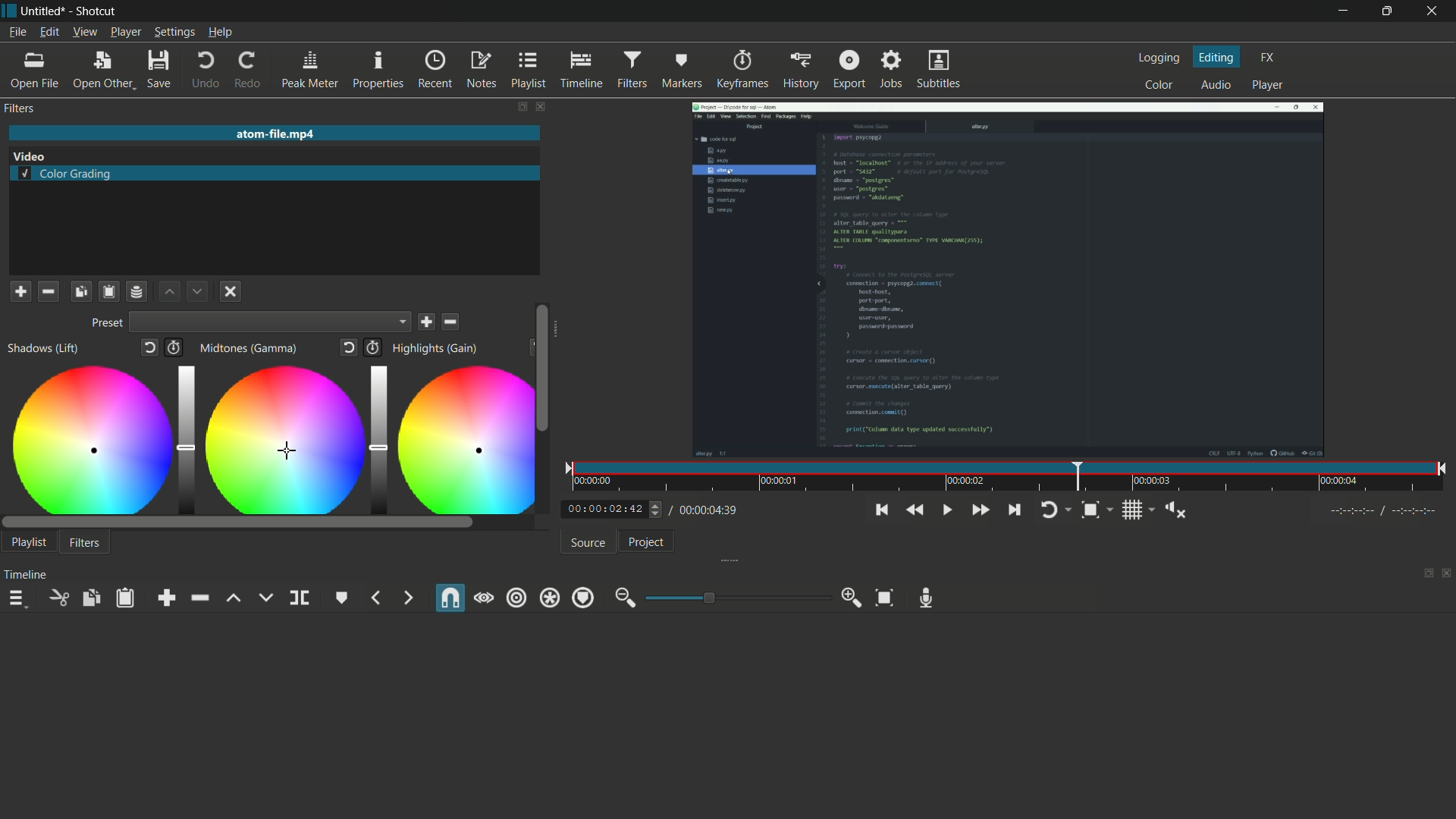  Describe the element at coordinates (221, 33) in the screenshot. I see `help menu` at that location.